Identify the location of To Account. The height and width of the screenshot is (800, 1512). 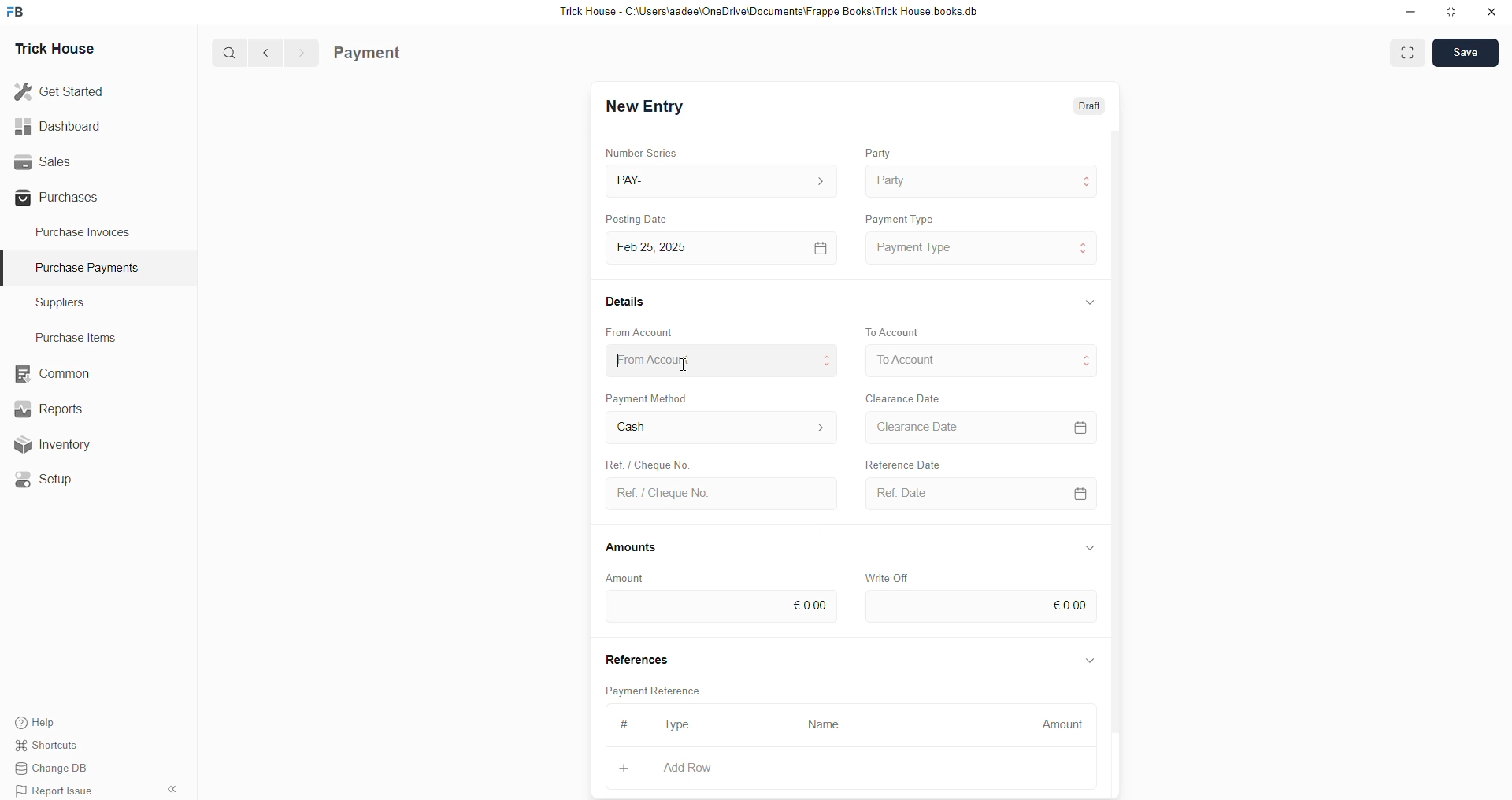
(896, 331).